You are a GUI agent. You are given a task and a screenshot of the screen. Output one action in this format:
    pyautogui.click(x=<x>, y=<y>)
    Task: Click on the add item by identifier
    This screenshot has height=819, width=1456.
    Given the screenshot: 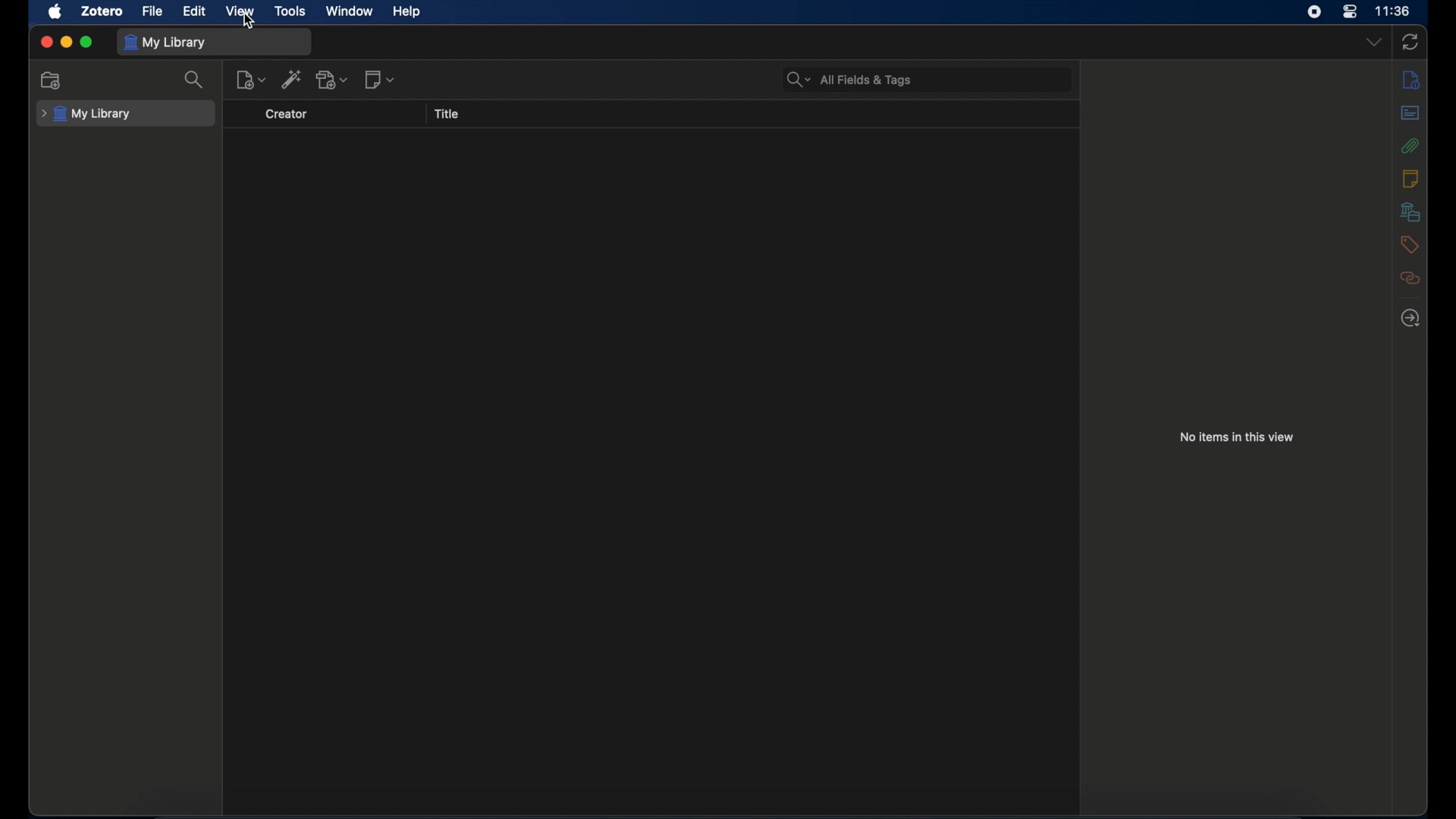 What is the action you would take?
    pyautogui.click(x=292, y=79)
    